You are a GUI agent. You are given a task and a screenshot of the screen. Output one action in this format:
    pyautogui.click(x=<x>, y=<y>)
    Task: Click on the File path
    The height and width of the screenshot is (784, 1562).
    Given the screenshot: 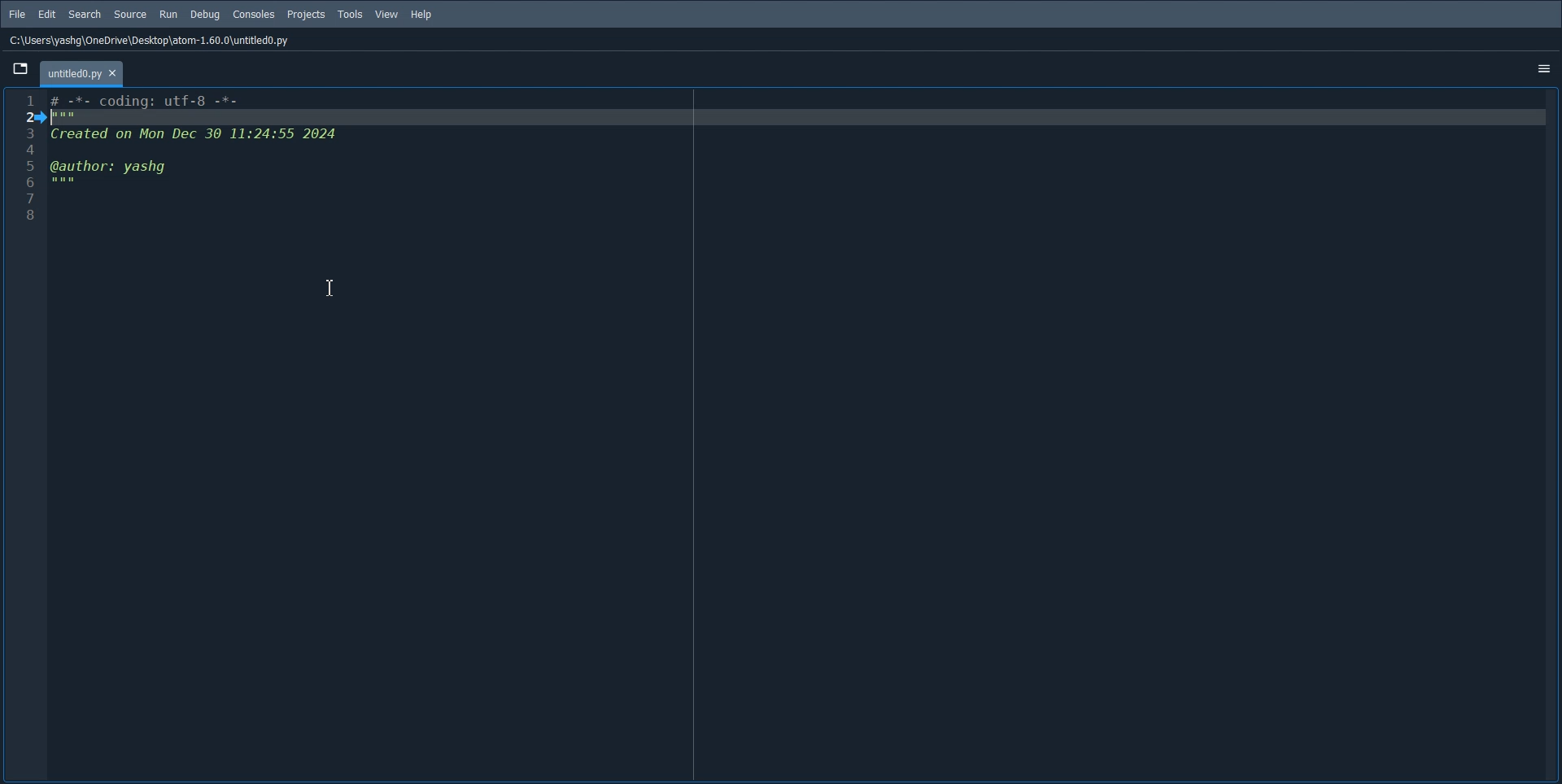 What is the action you would take?
    pyautogui.click(x=152, y=41)
    